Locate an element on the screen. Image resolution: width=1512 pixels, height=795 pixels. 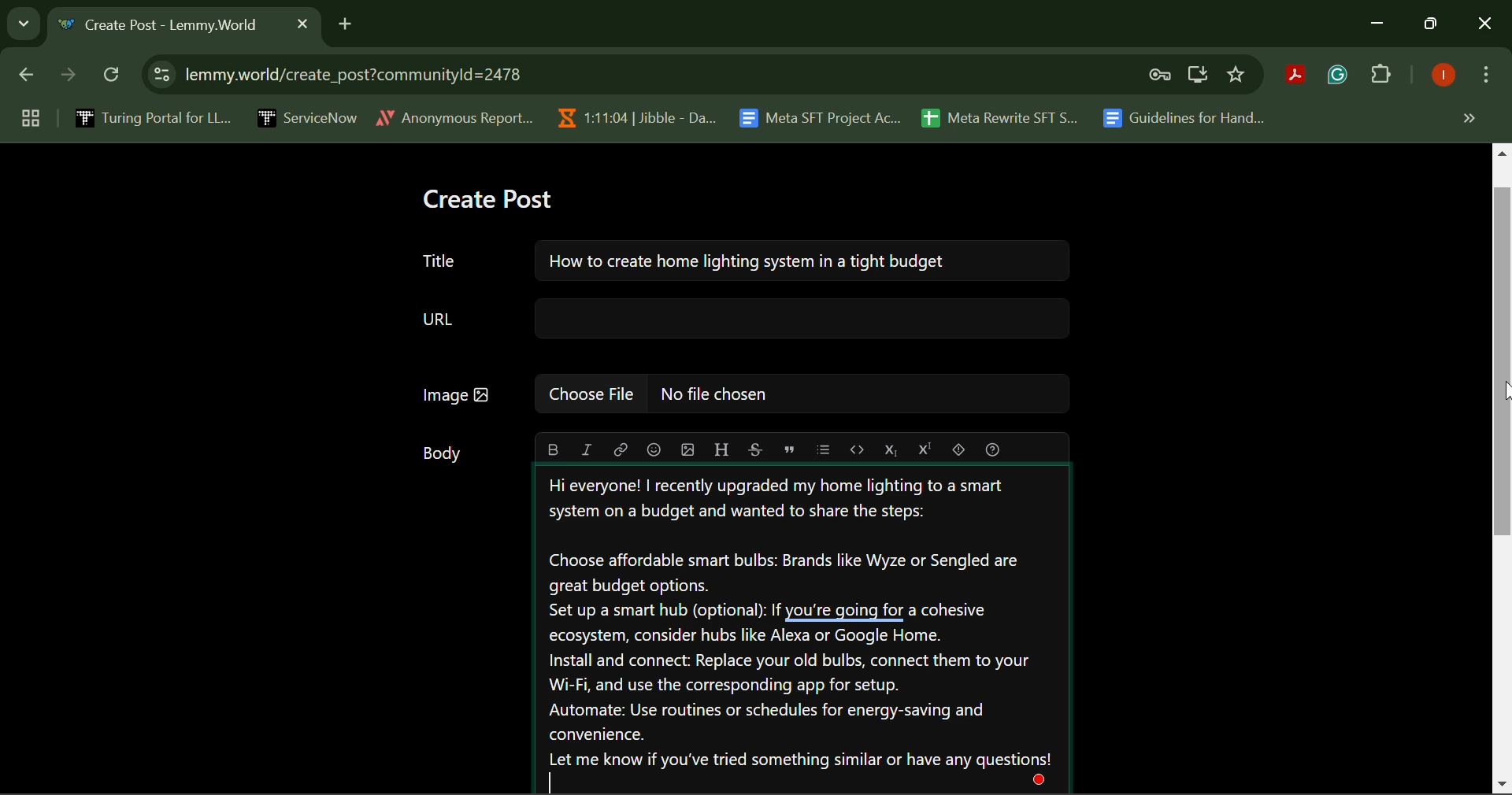
superscript is located at coordinates (923, 450).